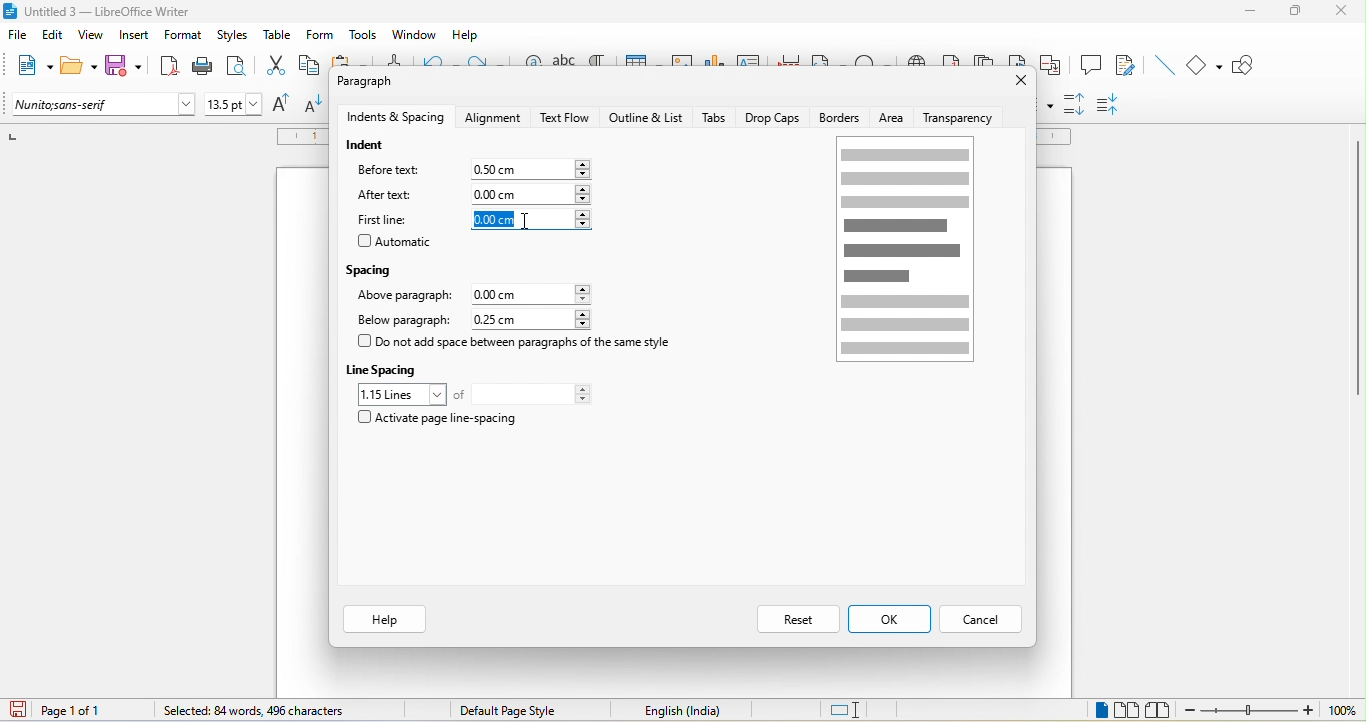  I want to click on drop caps, so click(771, 117).